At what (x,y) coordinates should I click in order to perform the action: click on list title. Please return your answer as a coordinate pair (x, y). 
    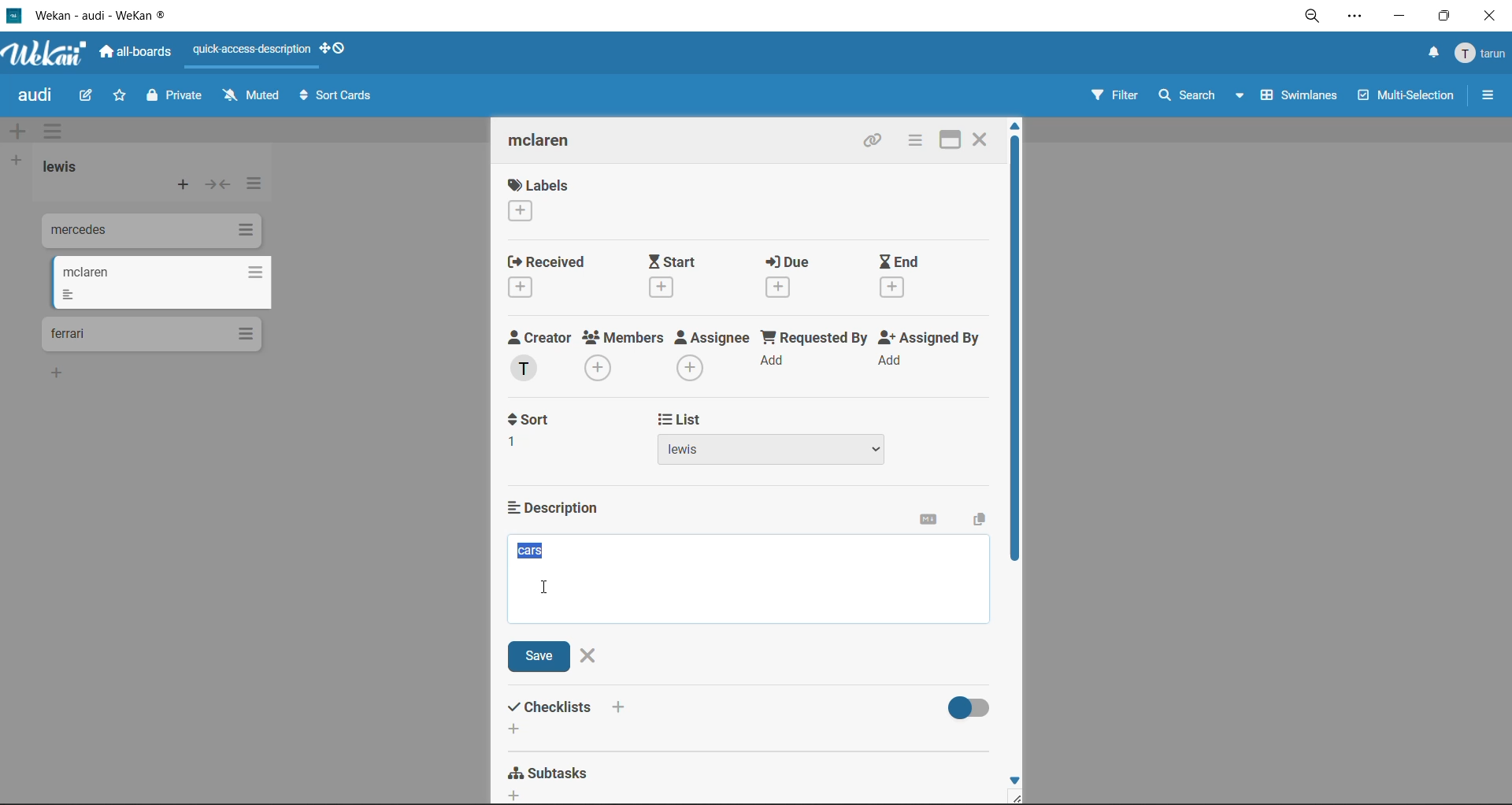
    Looking at the image, I should click on (67, 169).